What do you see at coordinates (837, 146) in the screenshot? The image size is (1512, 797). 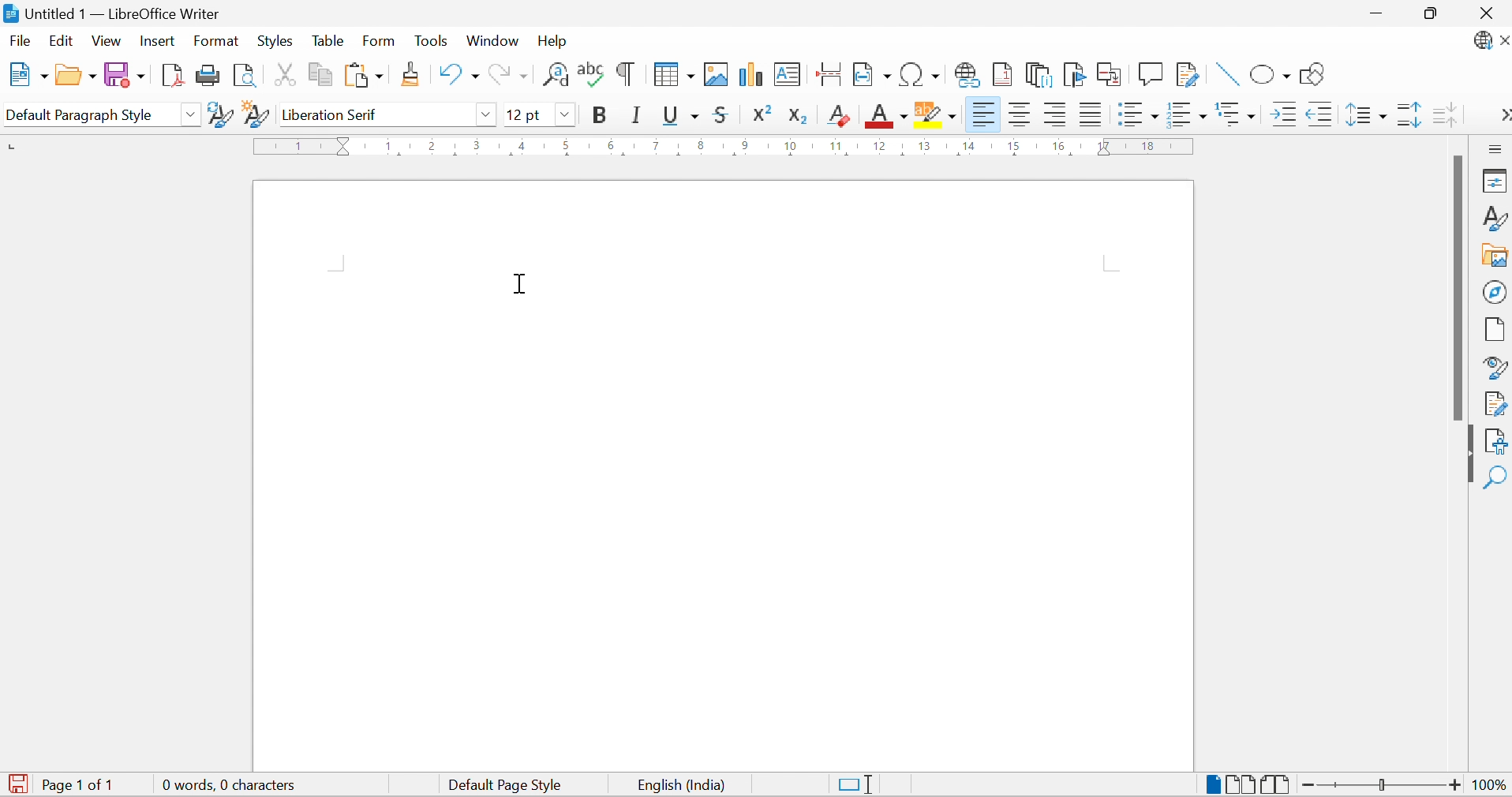 I see `11` at bounding box center [837, 146].